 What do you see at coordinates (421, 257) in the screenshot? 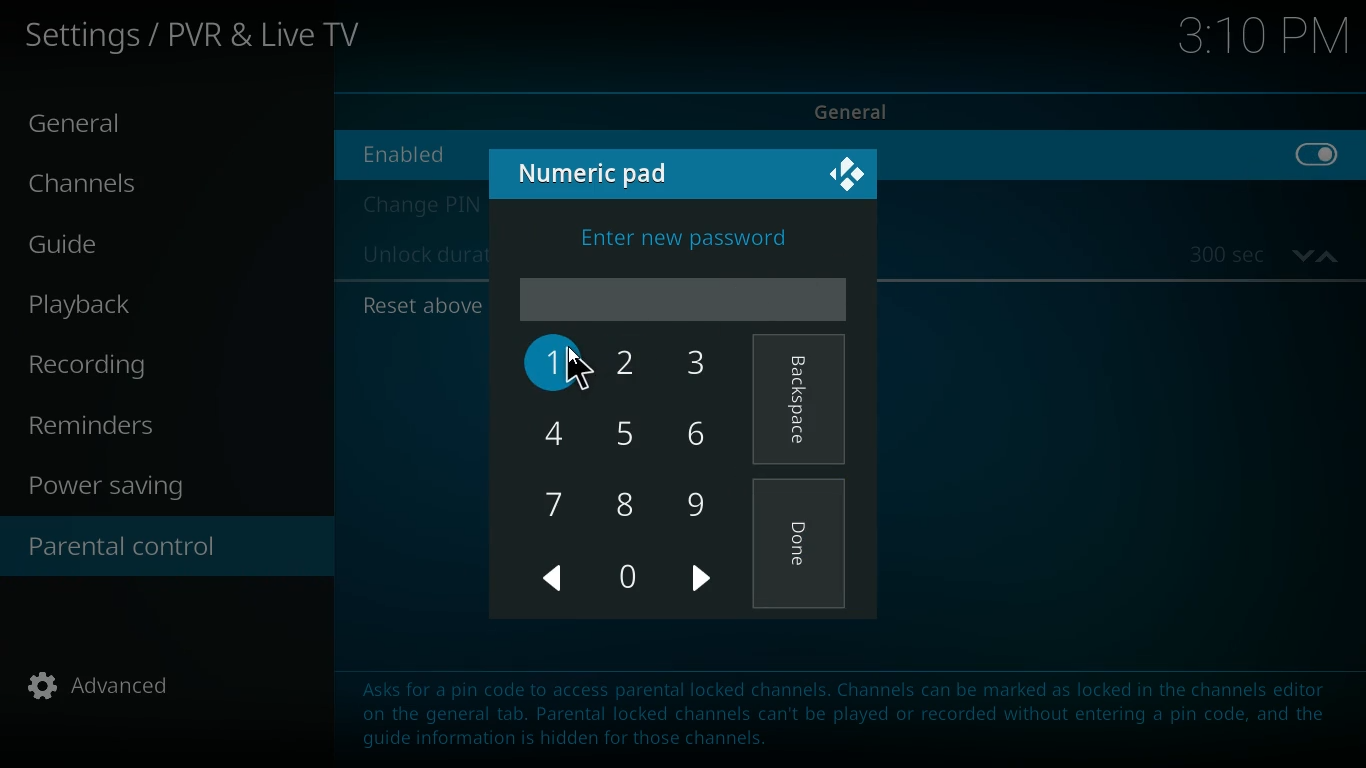
I see `unlock duration` at bounding box center [421, 257].